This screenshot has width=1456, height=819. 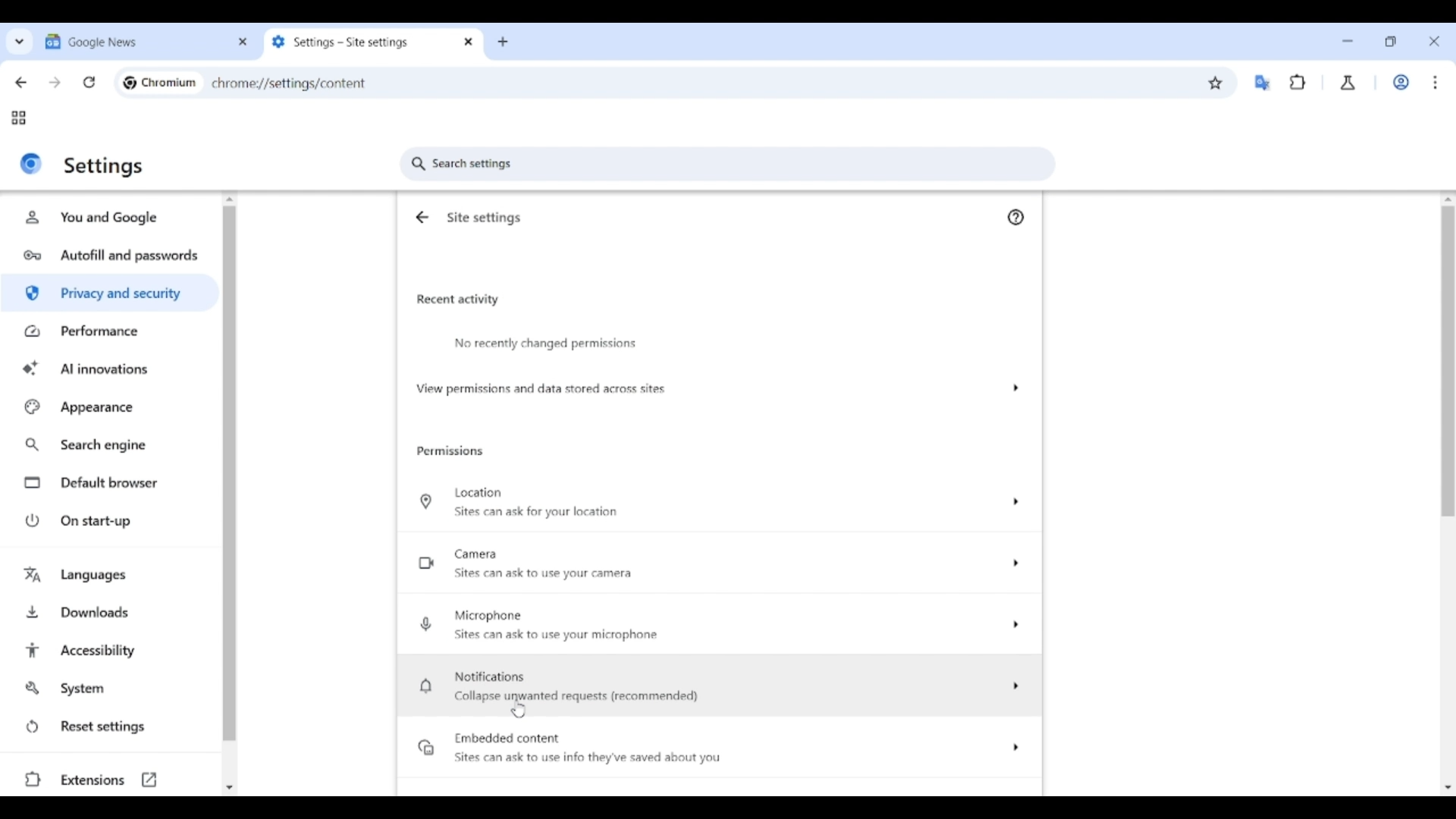 I want to click on Logo of current site, so click(x=31, y=163).